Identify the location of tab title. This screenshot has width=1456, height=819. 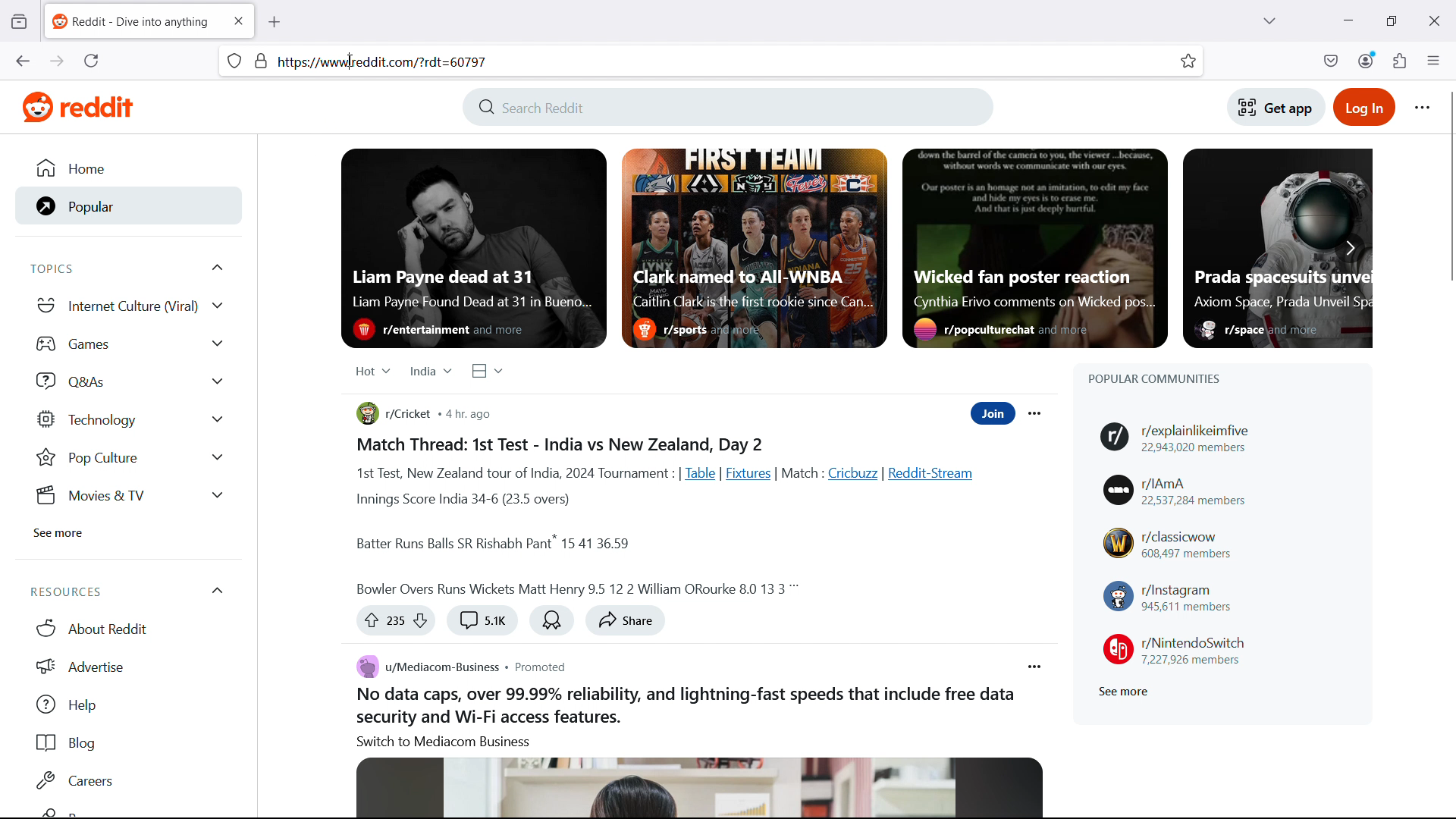
(131, 21).